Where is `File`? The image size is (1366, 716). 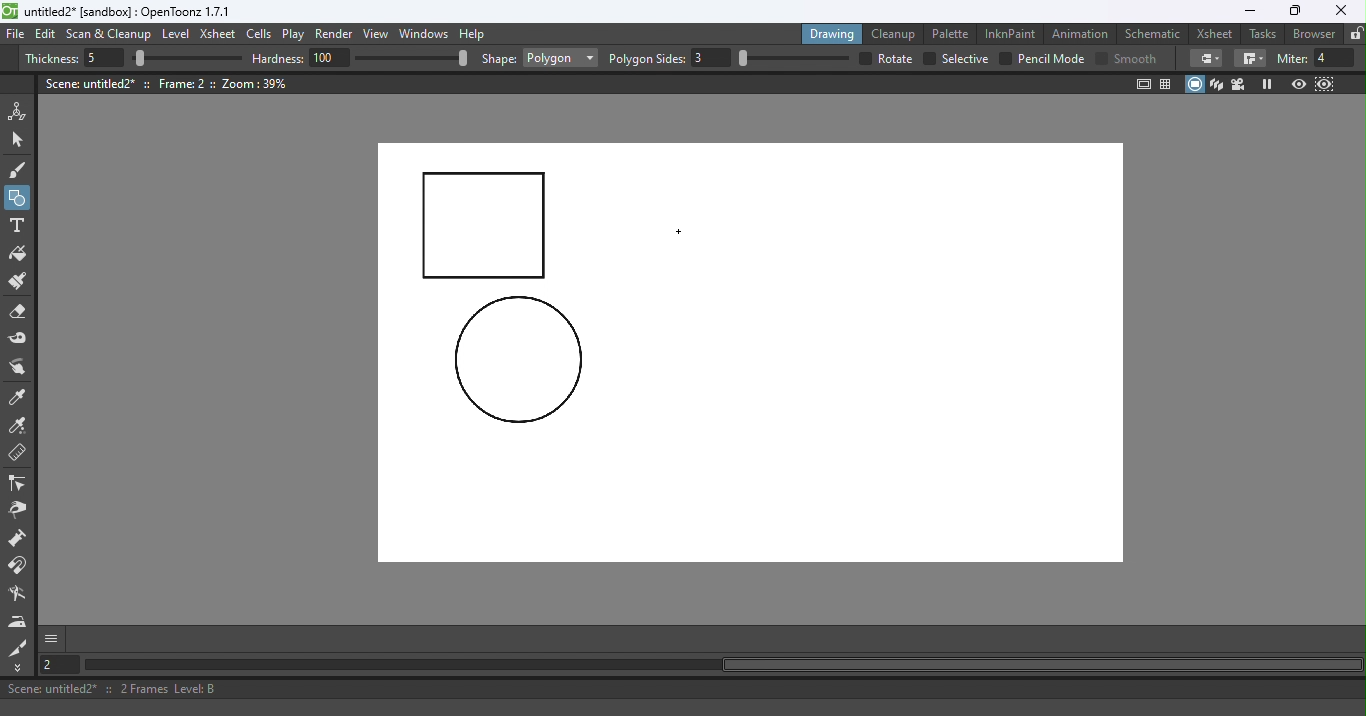 File is located at coordinates (16, 35).